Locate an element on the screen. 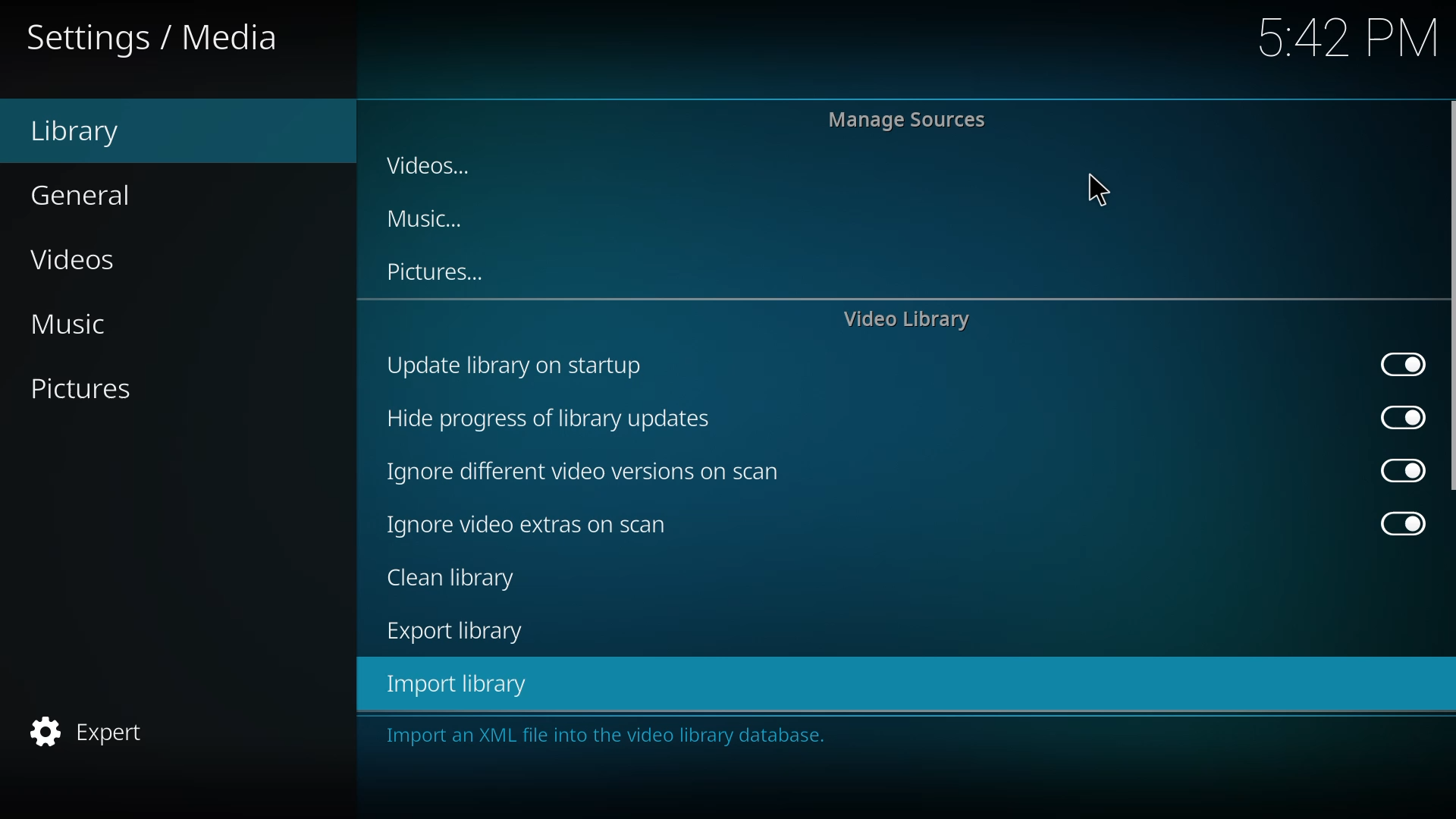 This screenshot has width=1456, height=819. update library  is located at coordinates (517, 366).